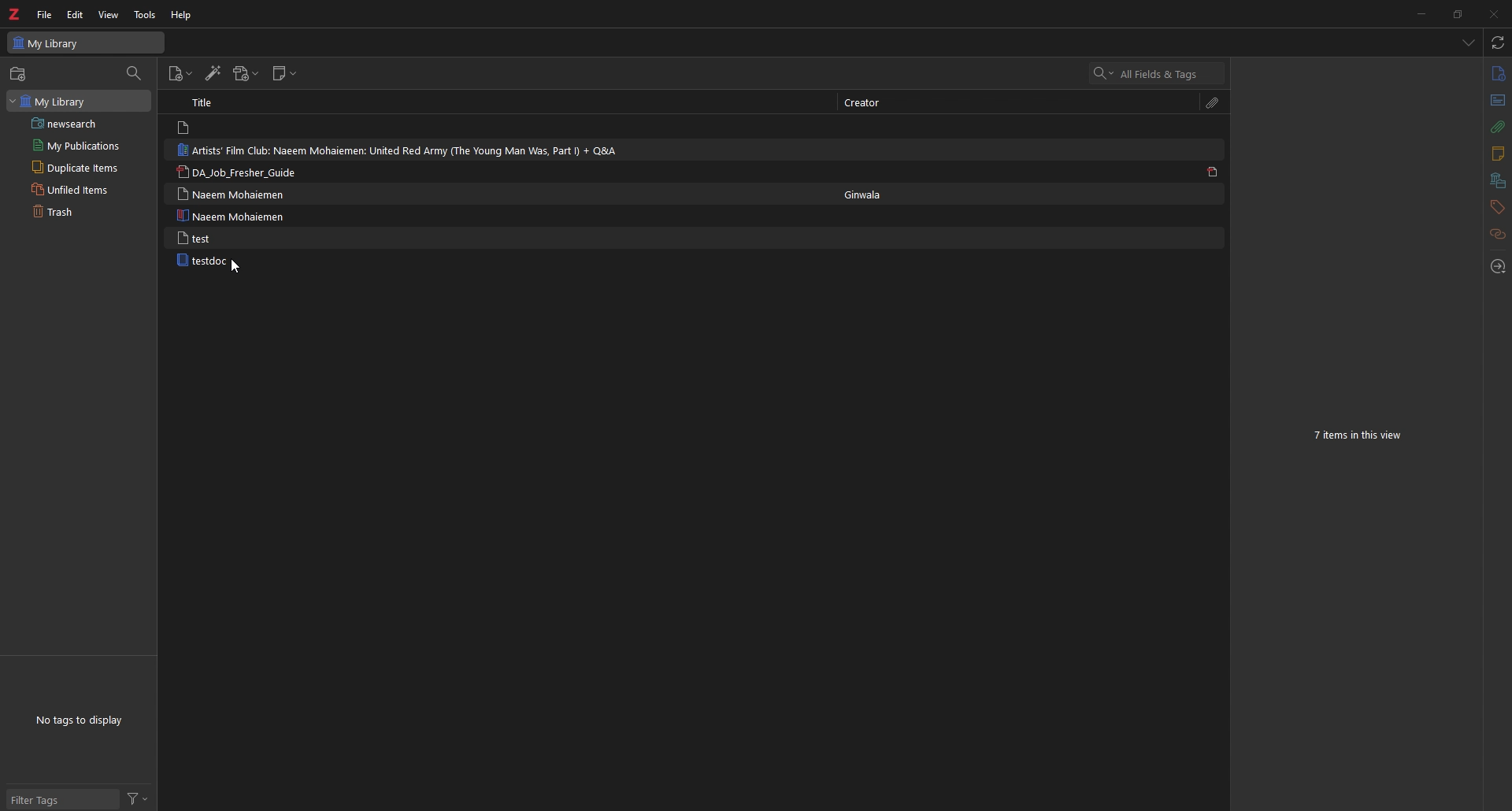 This screenshot has height=811, width=1512. What do you see at coordinates (1492, 13) in the screenshot?
I see `close` at bounding box center [1492, 13].